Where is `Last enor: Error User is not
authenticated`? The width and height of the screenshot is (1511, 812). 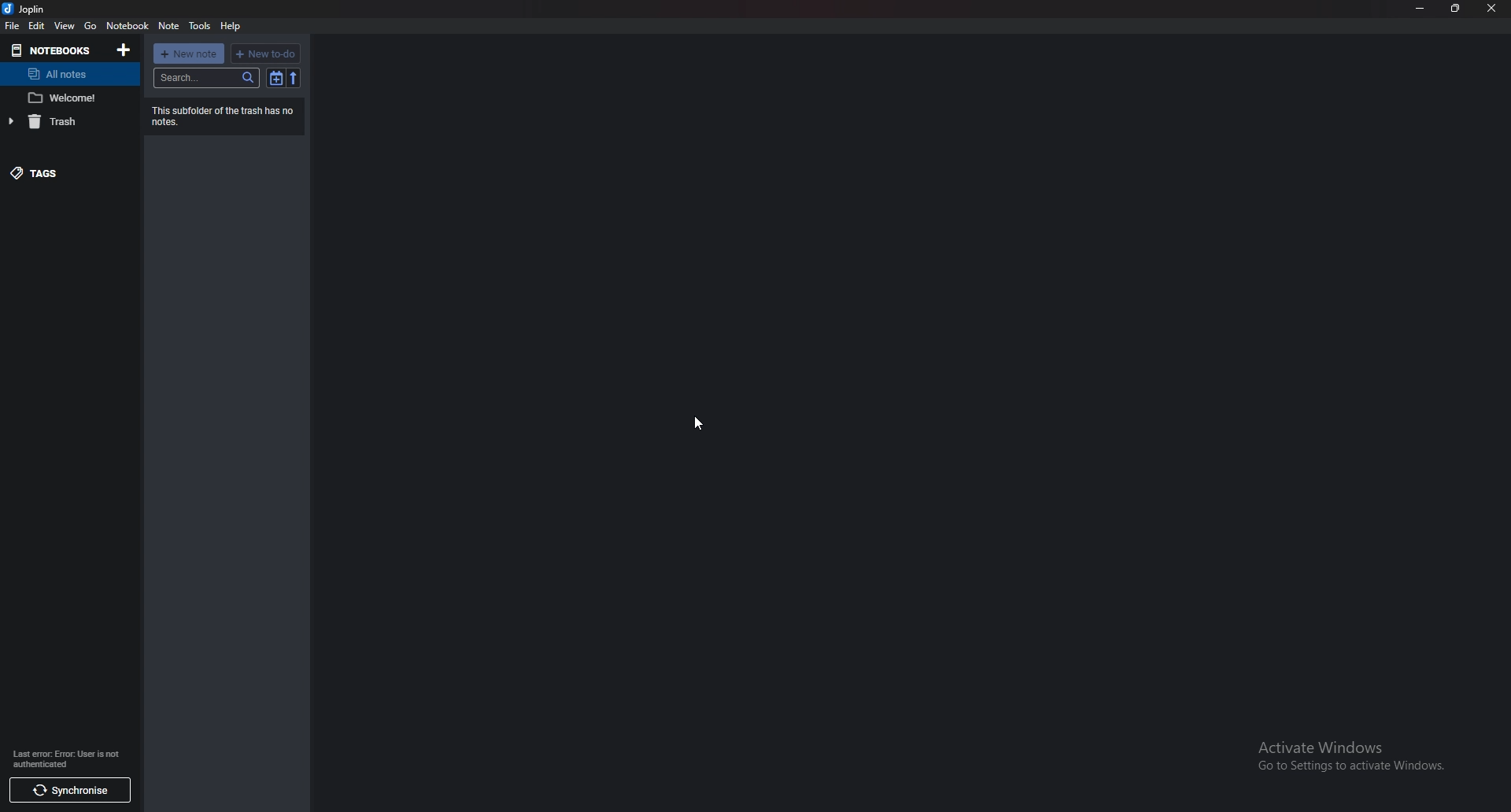 Last enor: Error User is not
authenticated is located at coordinates (64, 757).